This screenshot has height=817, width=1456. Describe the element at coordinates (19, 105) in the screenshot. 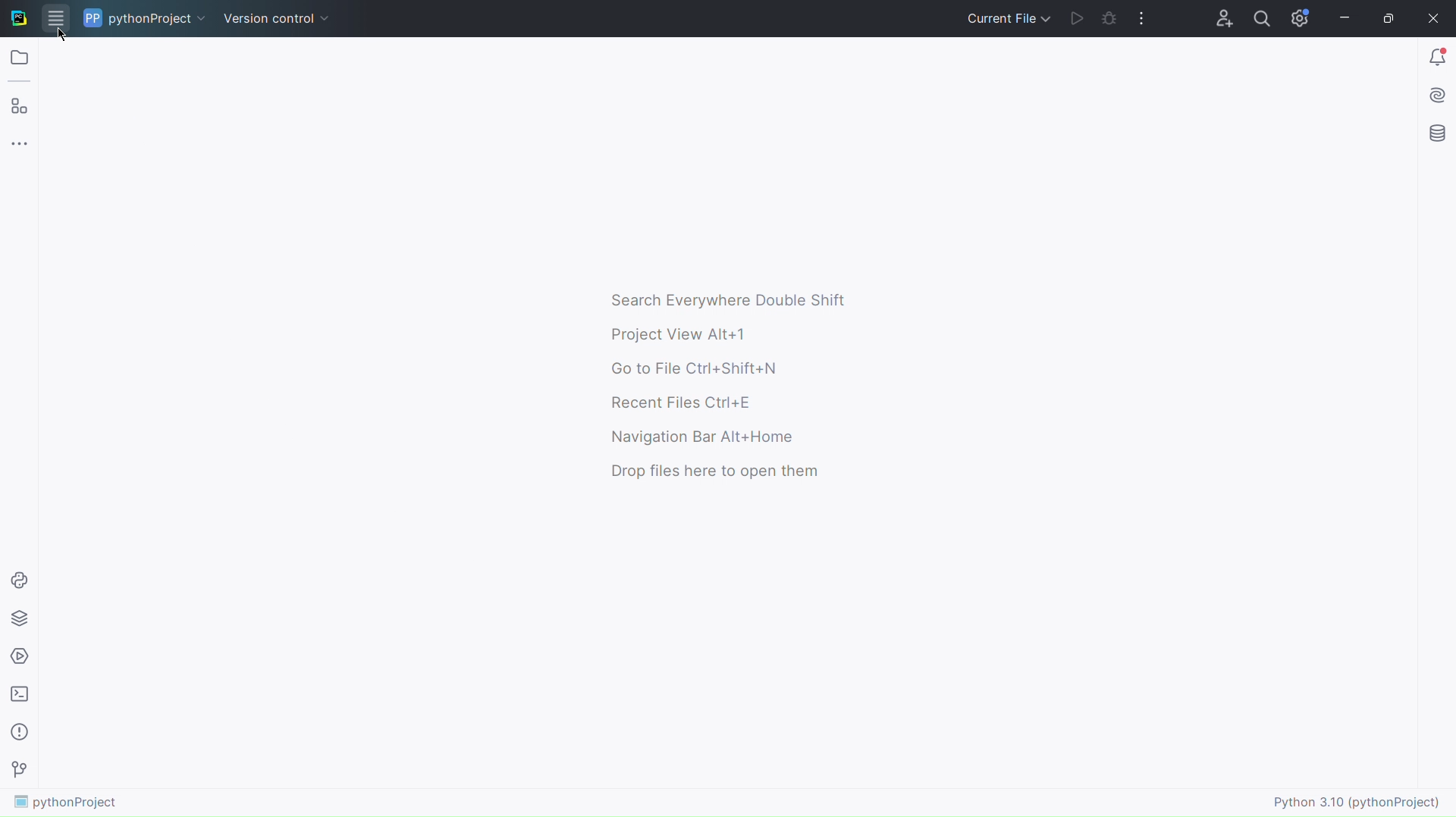

I see `Plugins` at that location.